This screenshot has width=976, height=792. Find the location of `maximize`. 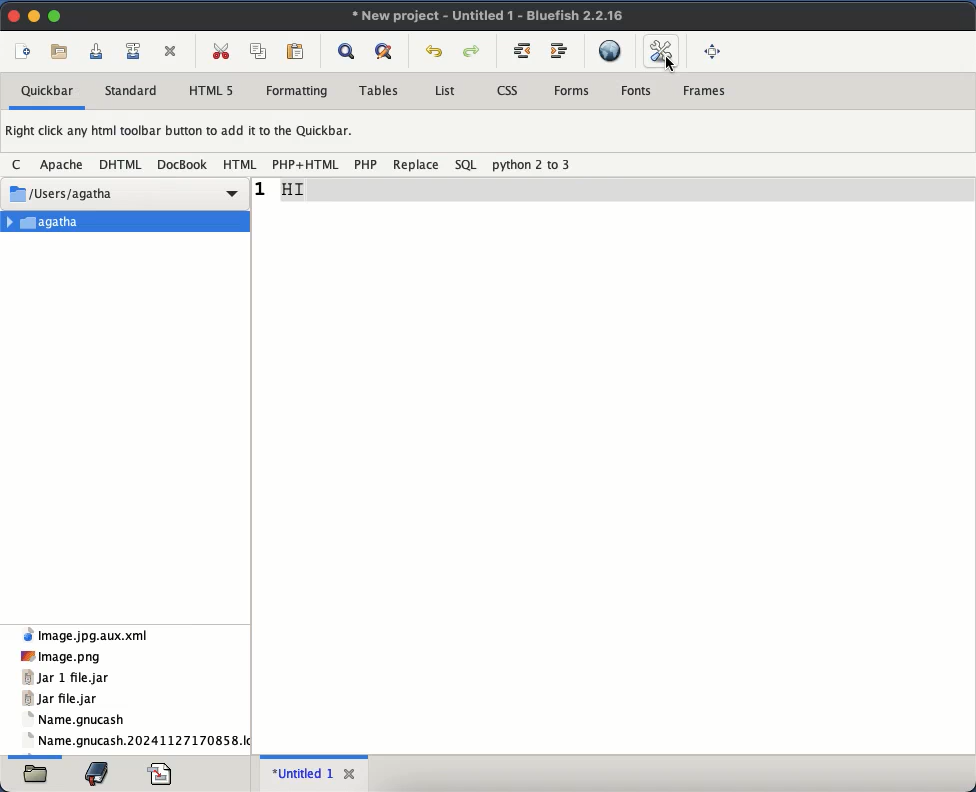

maximize is located at coordinates (55, 17).